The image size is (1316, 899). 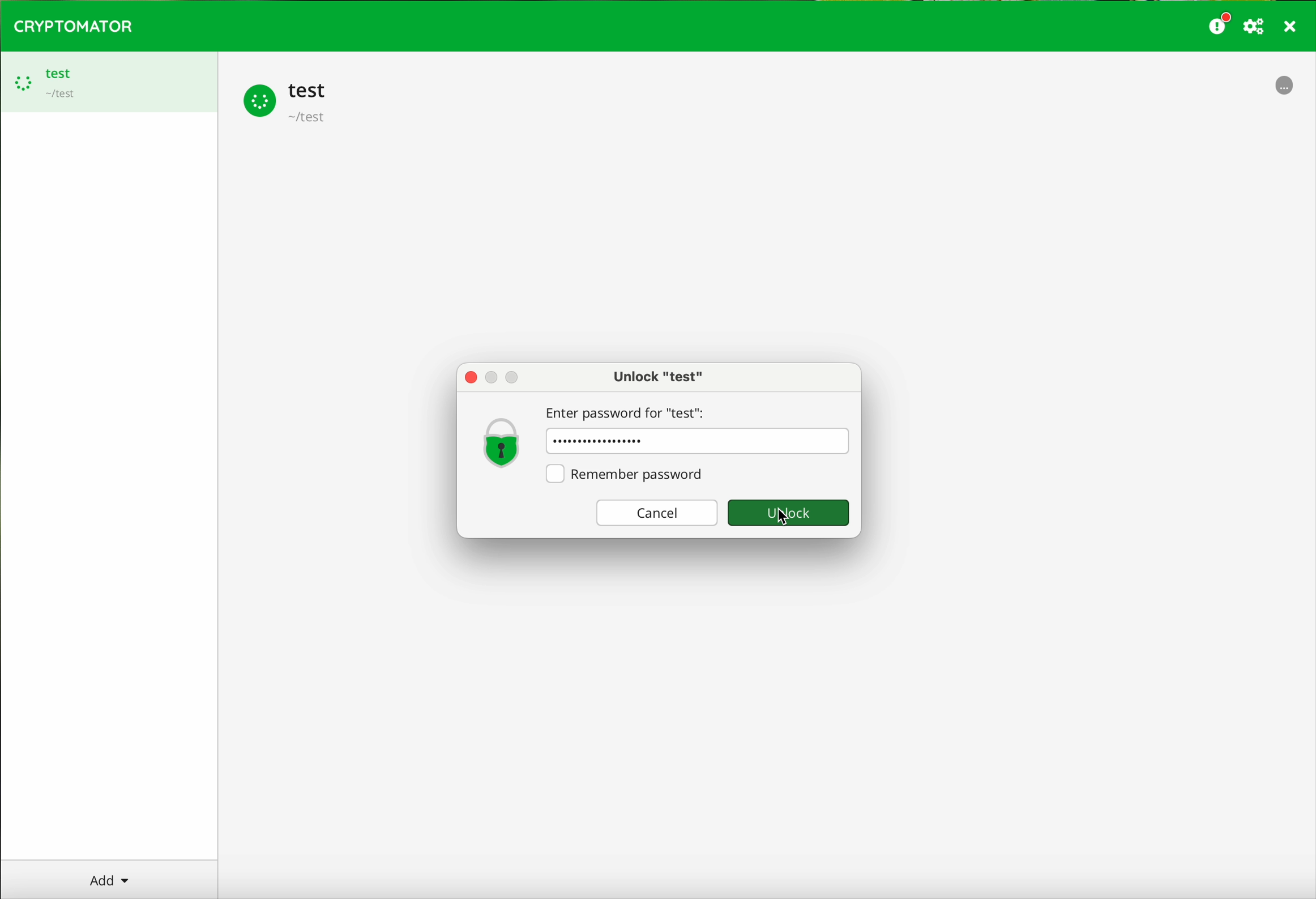 I want to click on donate, so click(x=1220, y=23).